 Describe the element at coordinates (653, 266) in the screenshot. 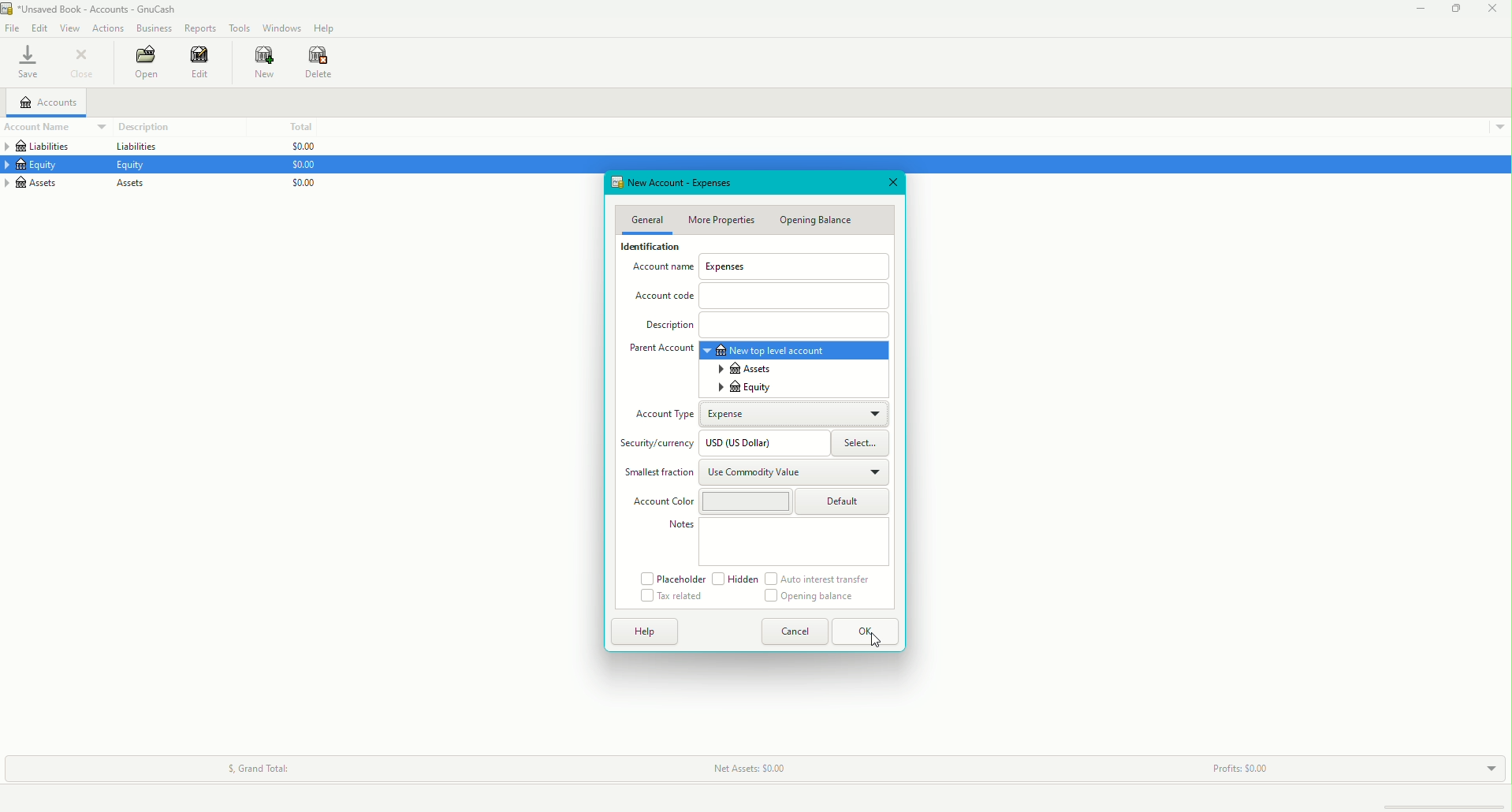

I see `Account Name` at that location.